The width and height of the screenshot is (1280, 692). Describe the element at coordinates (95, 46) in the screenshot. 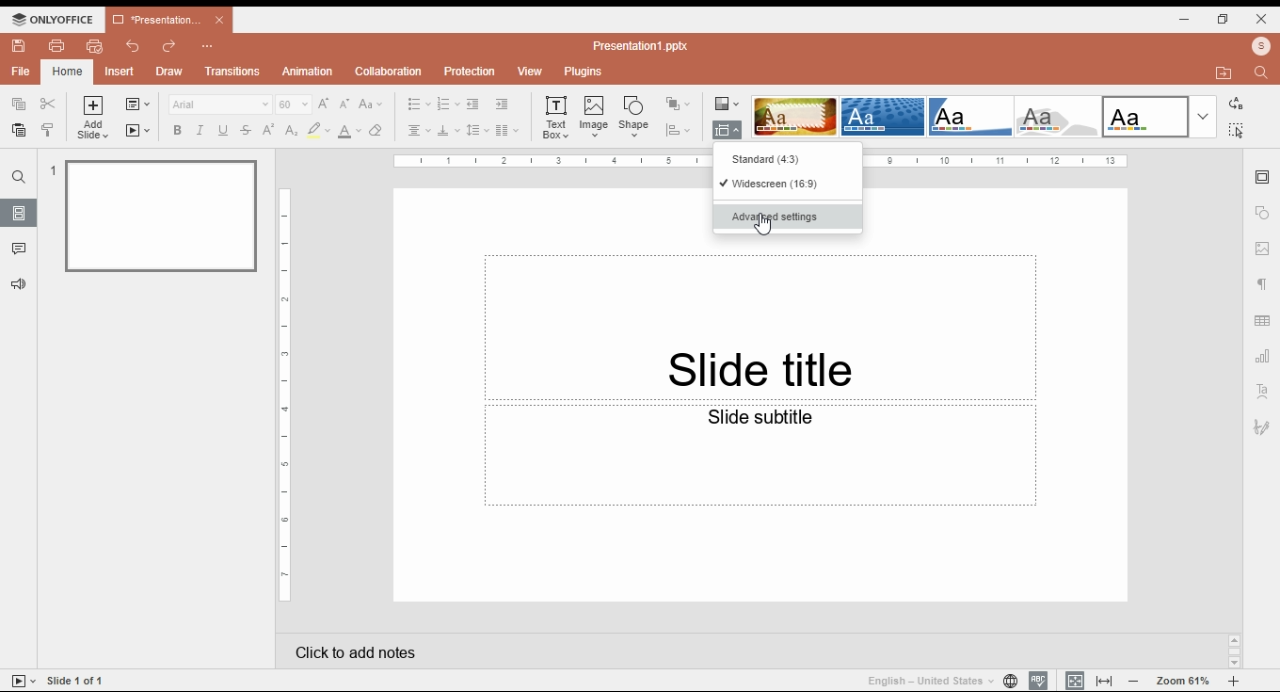

I see `quick print ` at that location.